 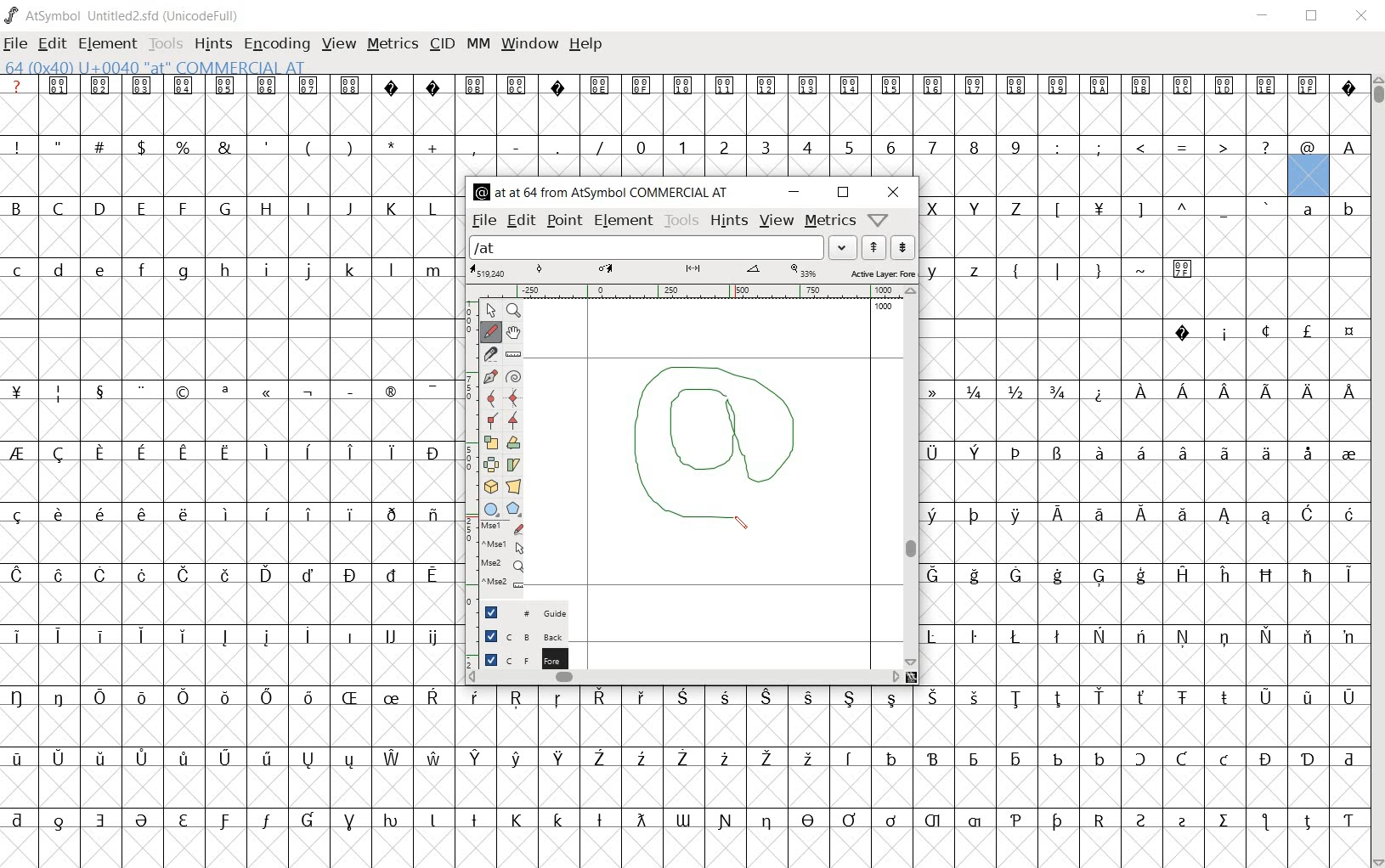 I want to click on SCROLLBAR, so click(x=1377, y=472).